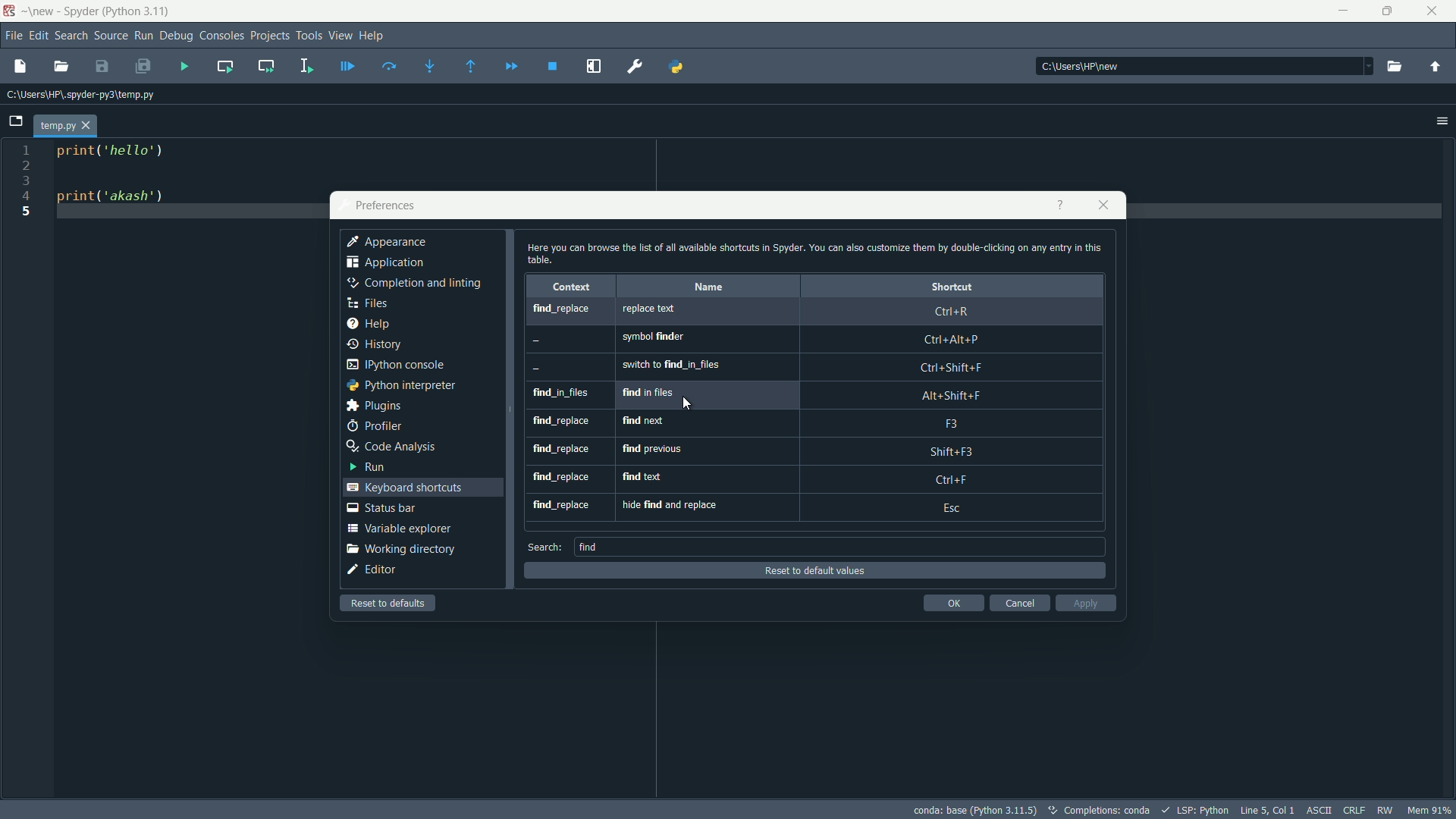 The height and width of the screenshot is (819, 1456). Describe the element at coordinates (1020, 604) in the screenshot. I see `cancel` at that location.